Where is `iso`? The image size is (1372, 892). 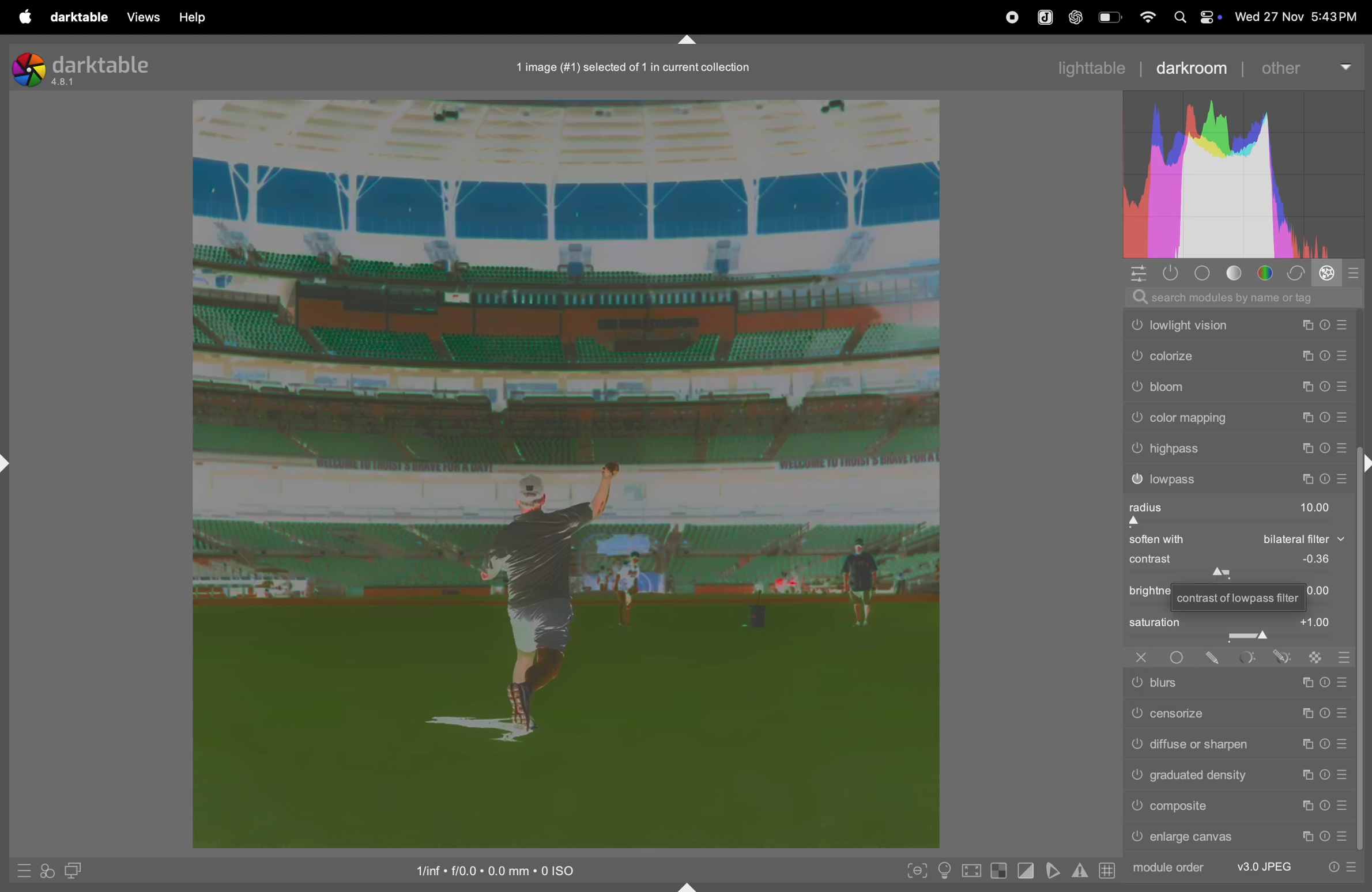
iso is located at coordinates (508, 868).